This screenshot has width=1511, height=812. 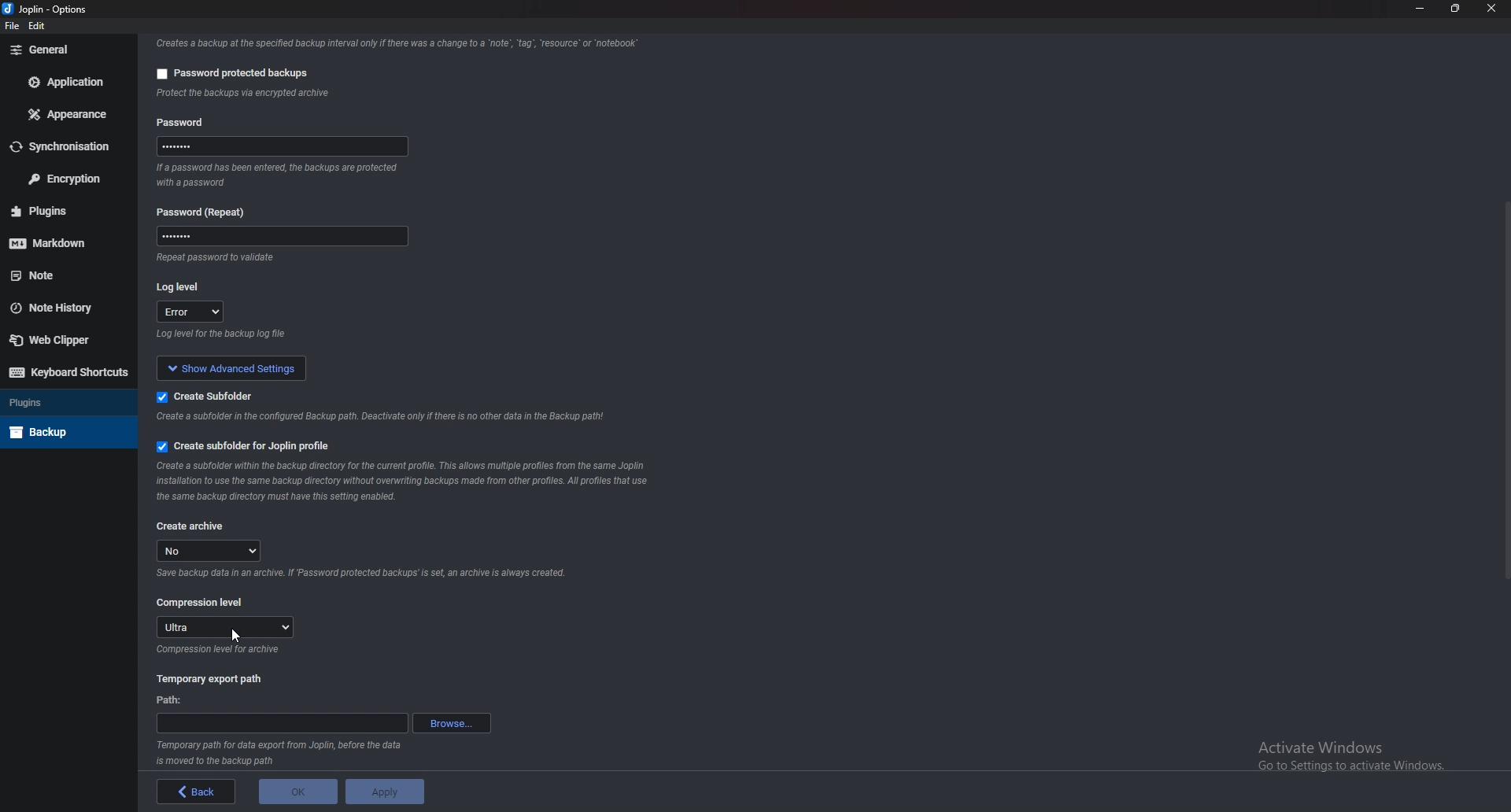 I want to click on password protected backup, so click(x=228, y=71).